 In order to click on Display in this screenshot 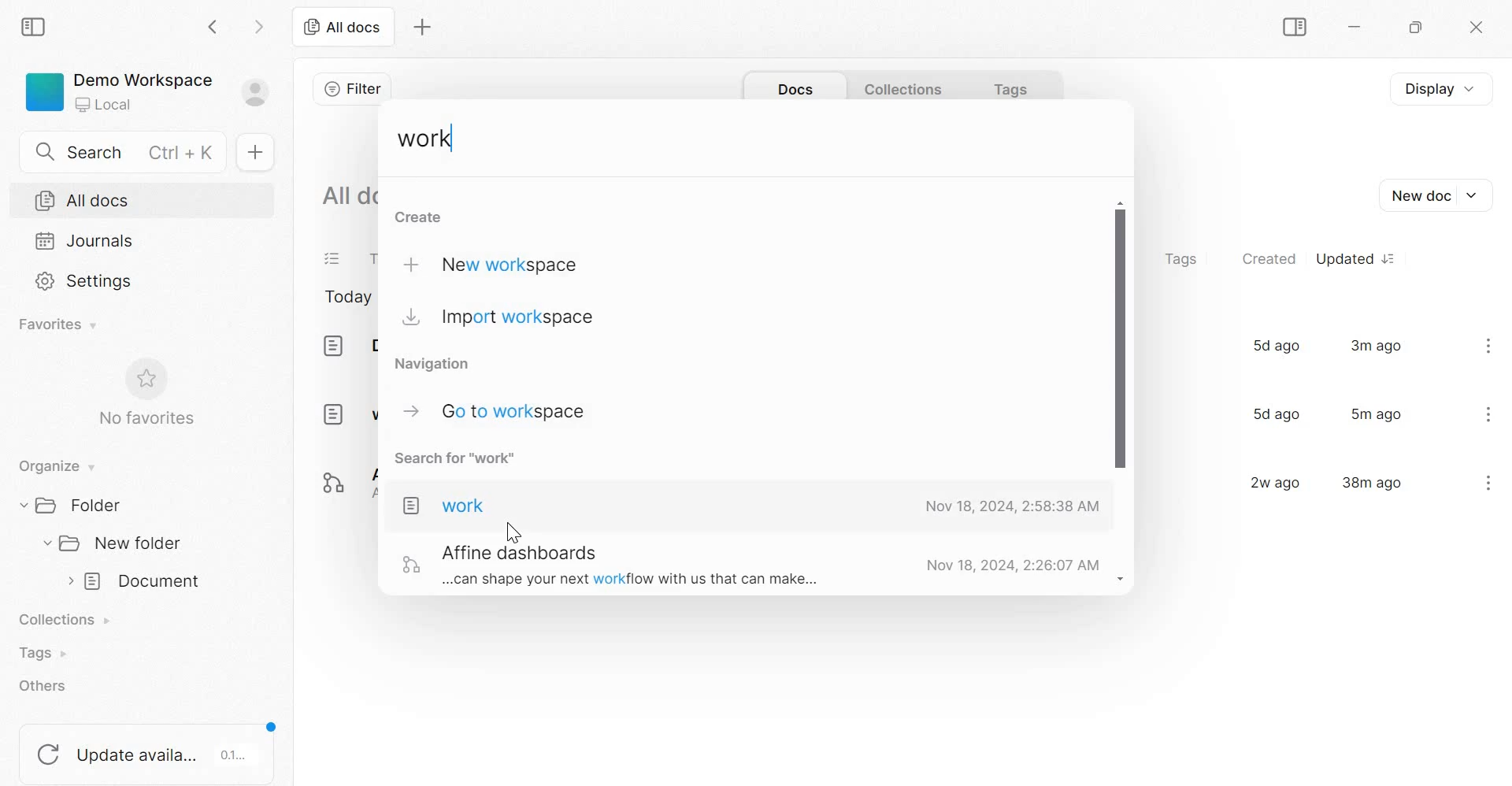, I will do `click(1448, 87)`.